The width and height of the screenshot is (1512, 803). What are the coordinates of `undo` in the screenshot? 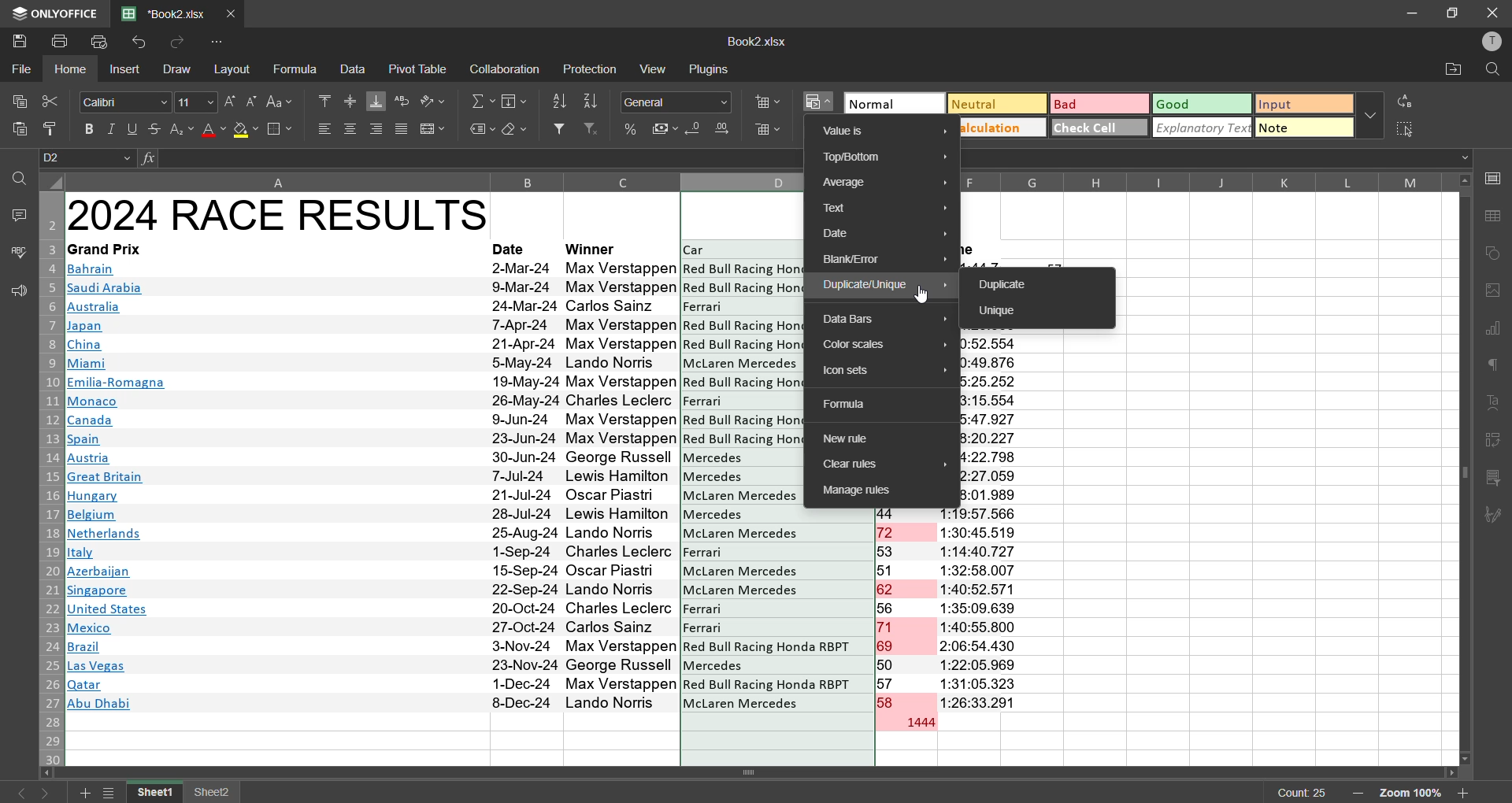 It's located at (143, 43).